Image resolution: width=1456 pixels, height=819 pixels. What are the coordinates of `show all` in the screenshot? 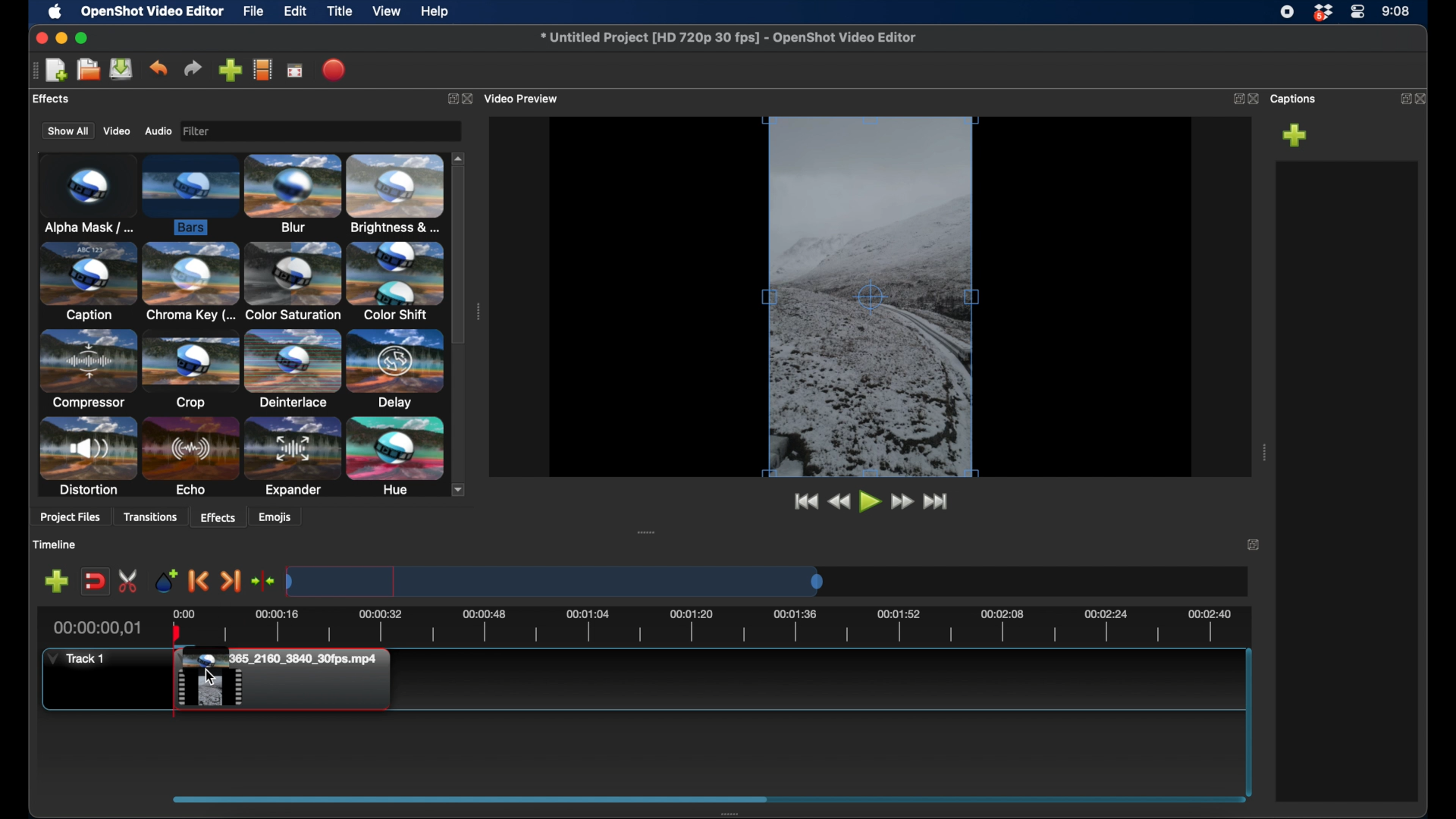 It's located at (66, 132).